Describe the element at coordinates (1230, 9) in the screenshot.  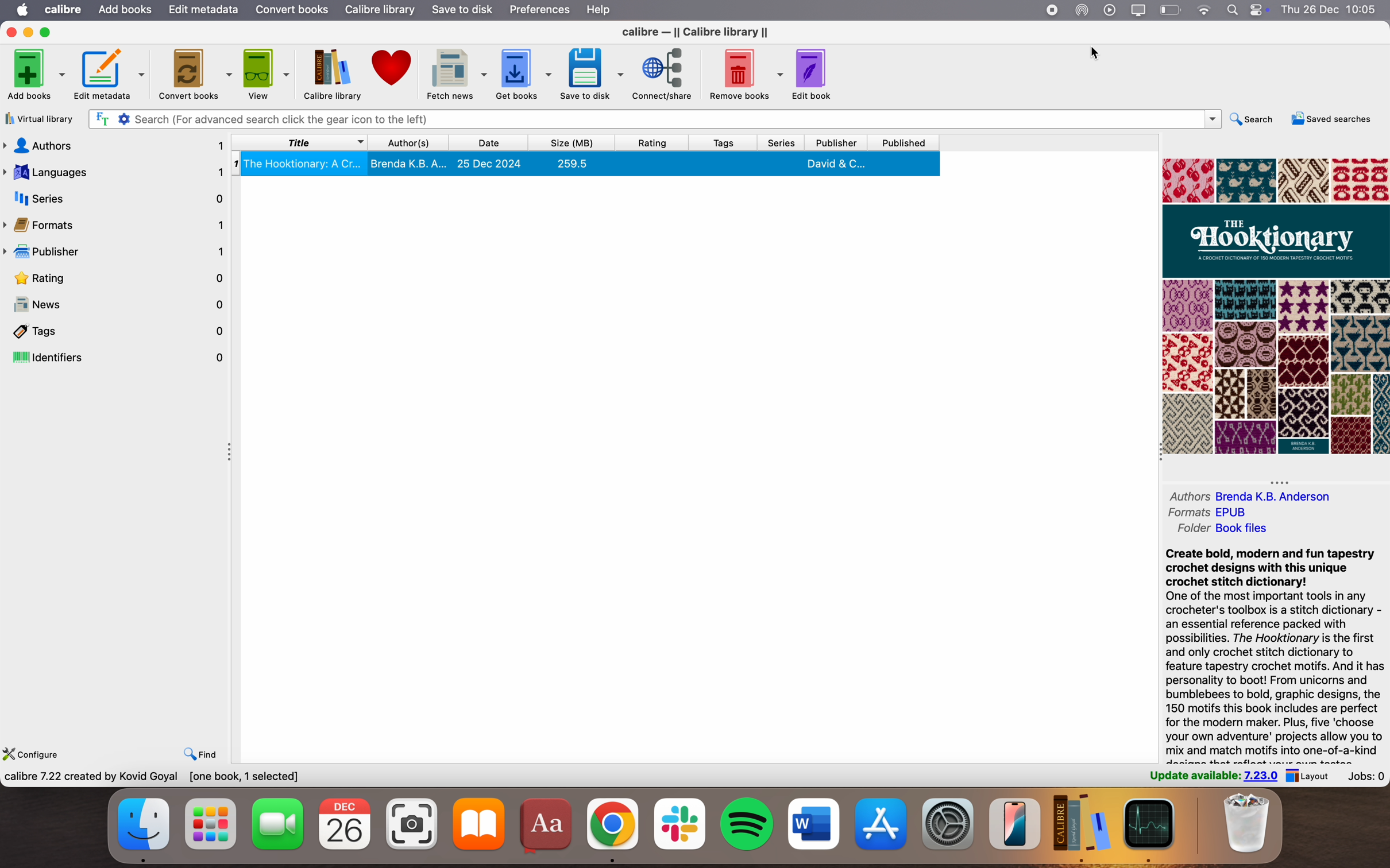
I see `spotlight search` at that location.